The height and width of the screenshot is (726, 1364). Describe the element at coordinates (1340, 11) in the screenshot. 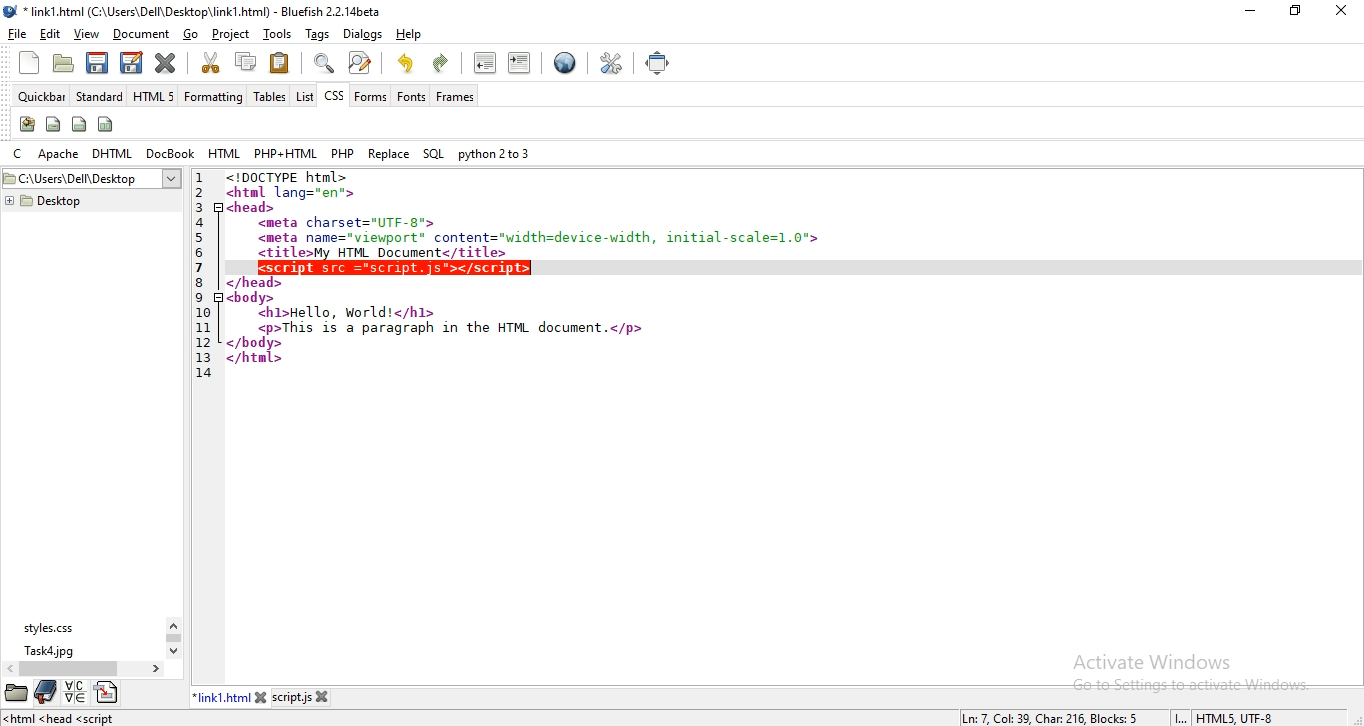

I see `close` at that location.